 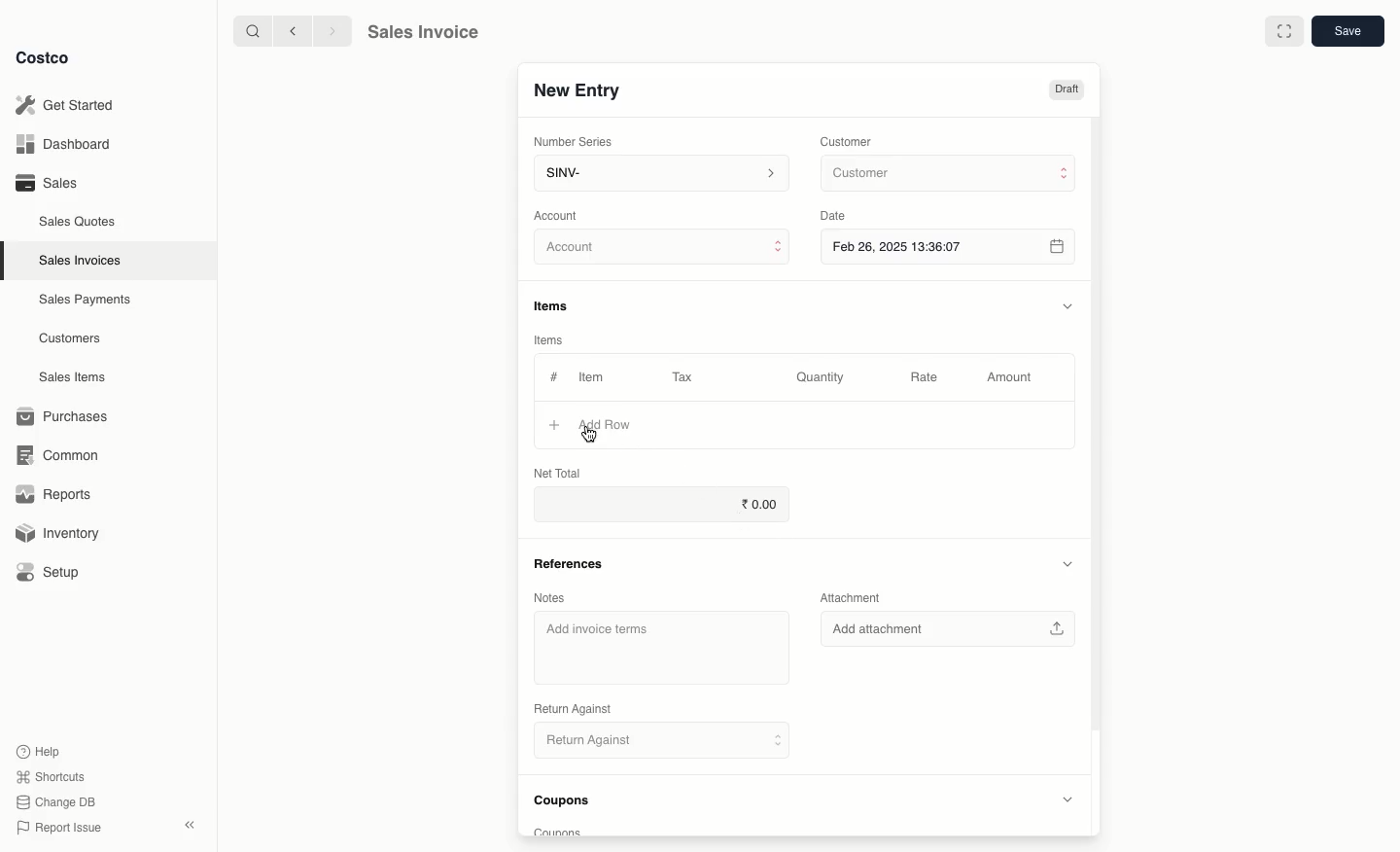 I want to click on Feb 26, 2025 13:36:07, so click(x=950, y=246).